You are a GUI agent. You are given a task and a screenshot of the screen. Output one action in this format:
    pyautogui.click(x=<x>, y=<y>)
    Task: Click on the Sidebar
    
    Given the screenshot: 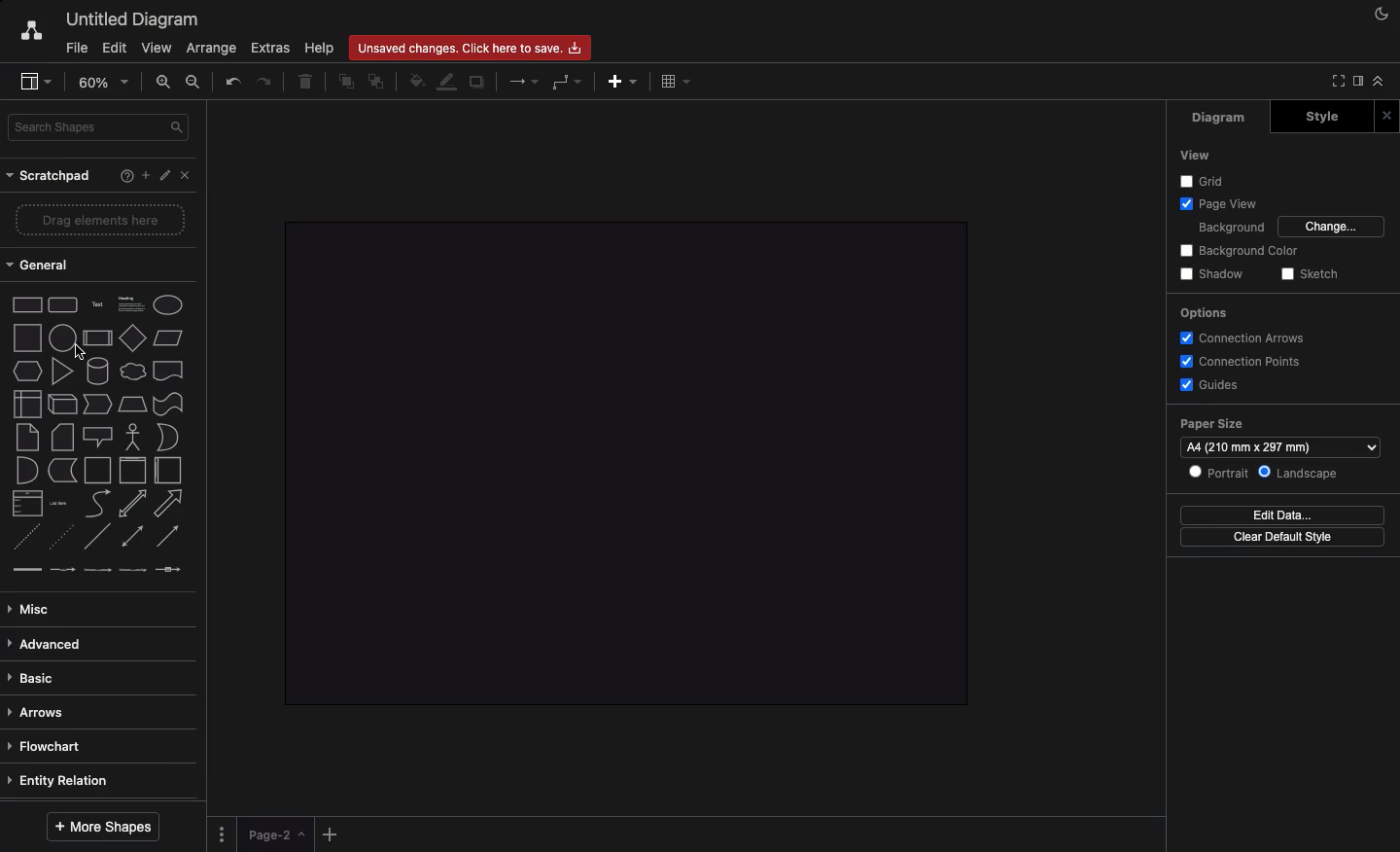 What is the action you would take?
    pyautogui.click(x=1354, y=80)
    